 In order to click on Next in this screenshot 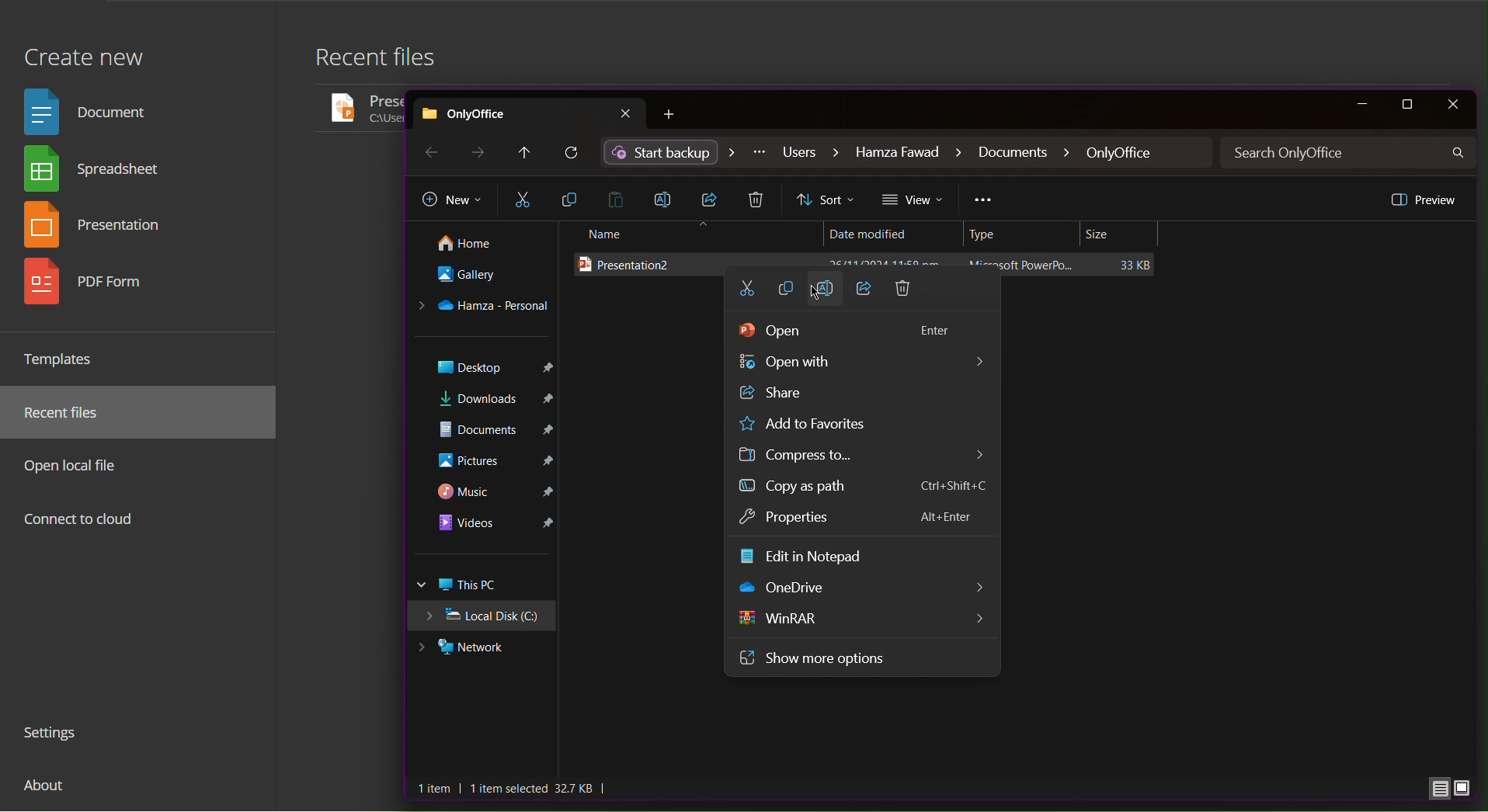, I will do `click(480, 152)`.